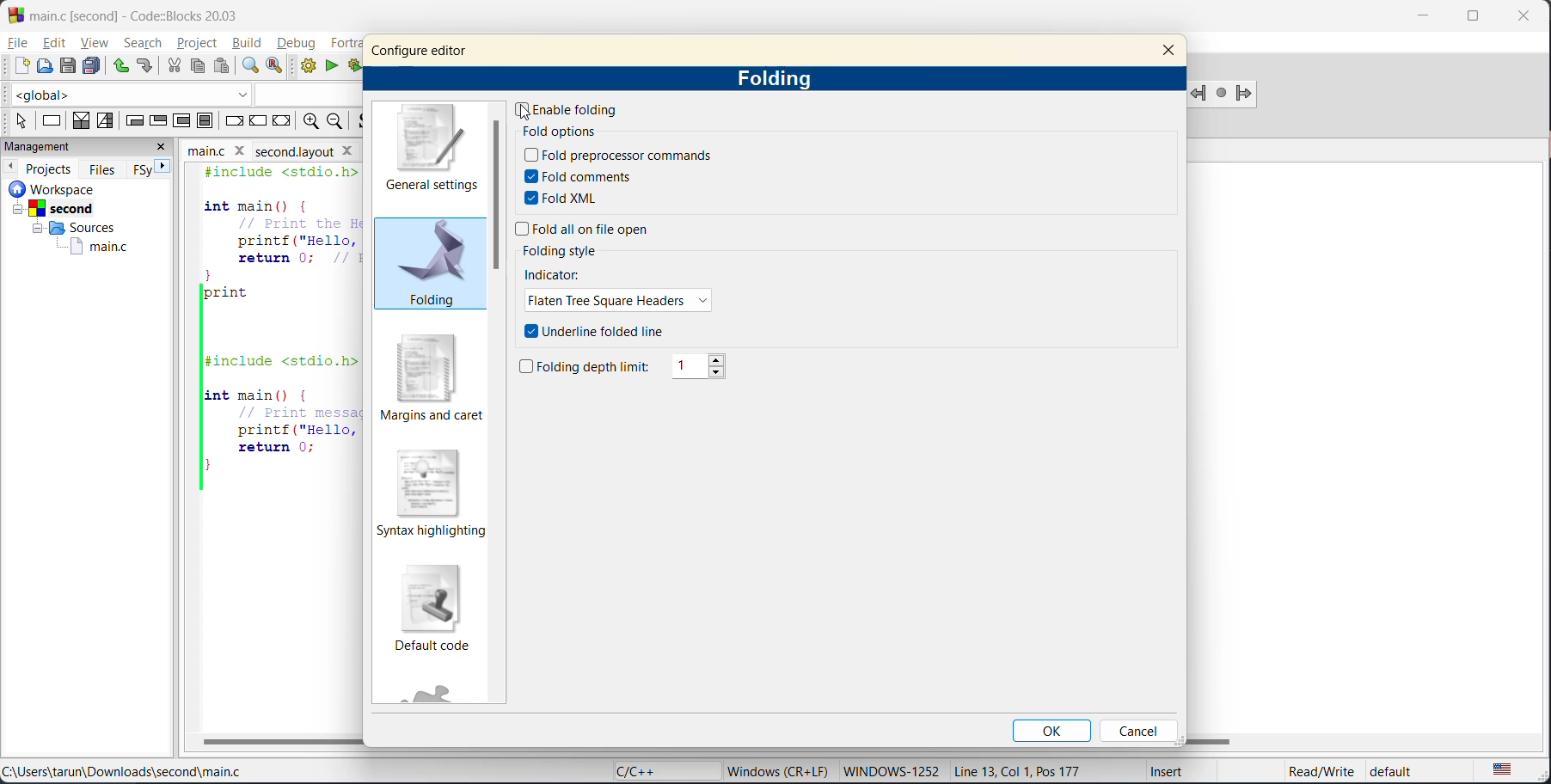  I want to click on block instruction, so click(205, 121).